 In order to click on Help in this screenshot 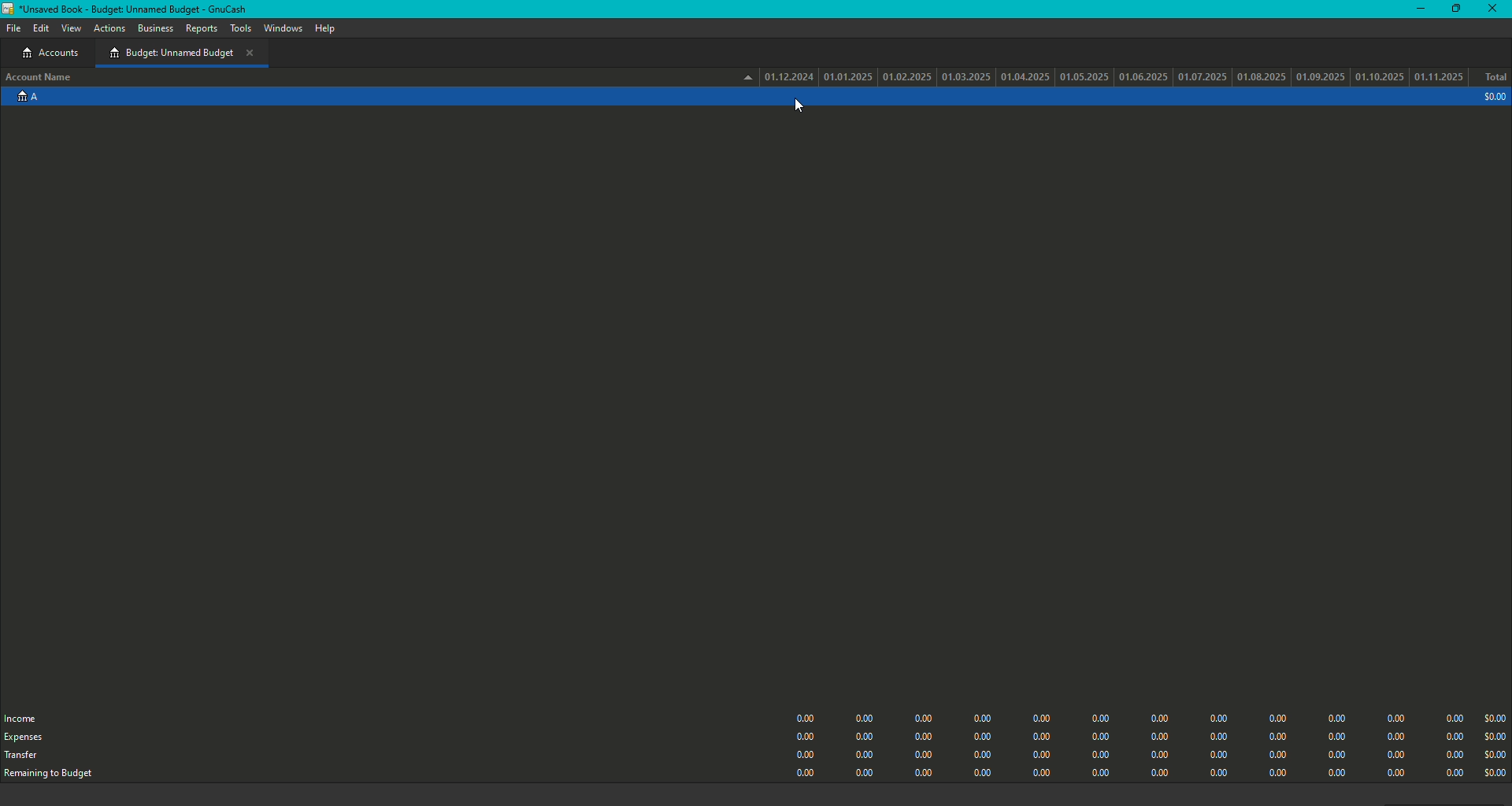, I will do `click(323, 28)`.